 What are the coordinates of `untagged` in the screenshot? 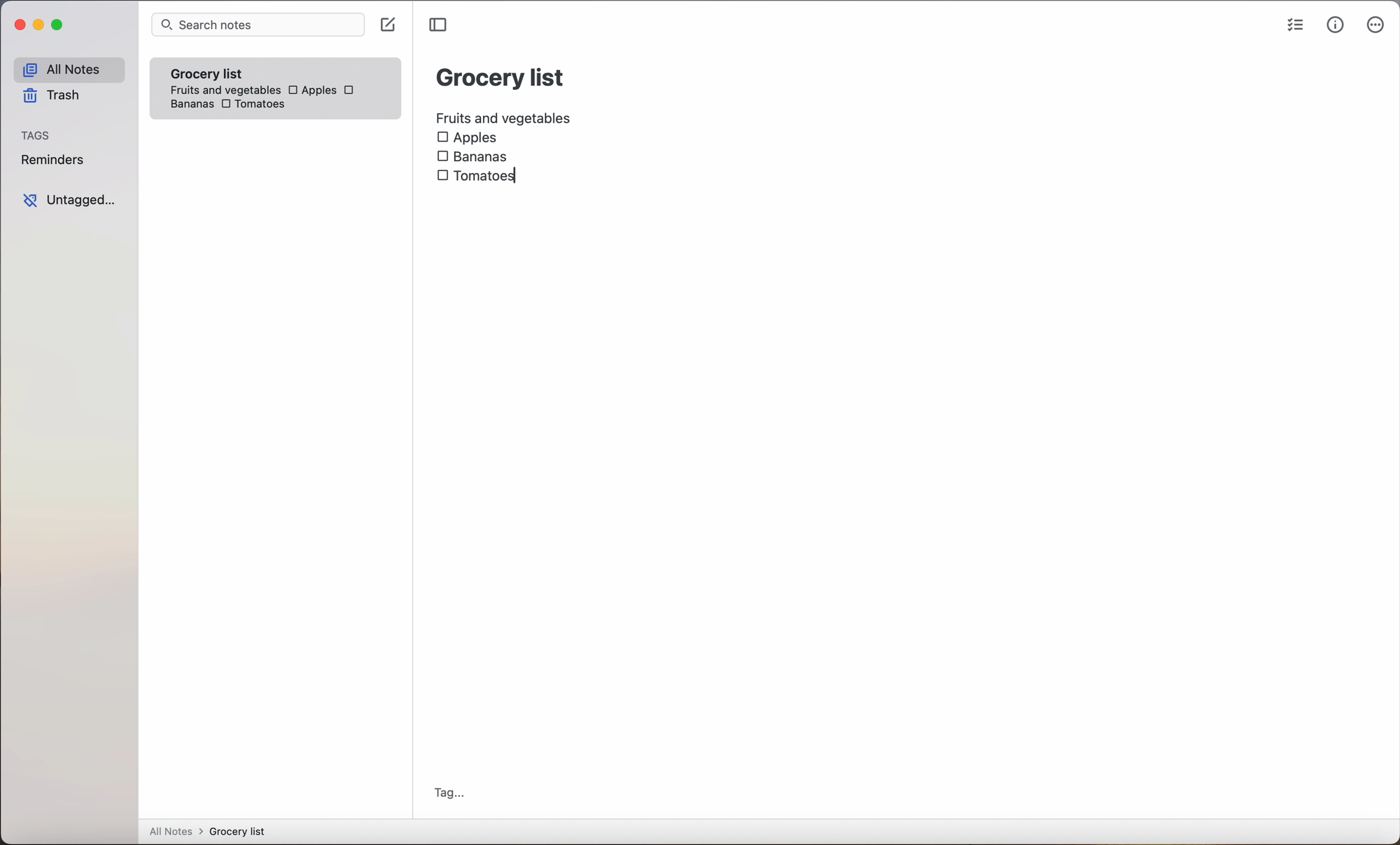 It's located at (69, 200).